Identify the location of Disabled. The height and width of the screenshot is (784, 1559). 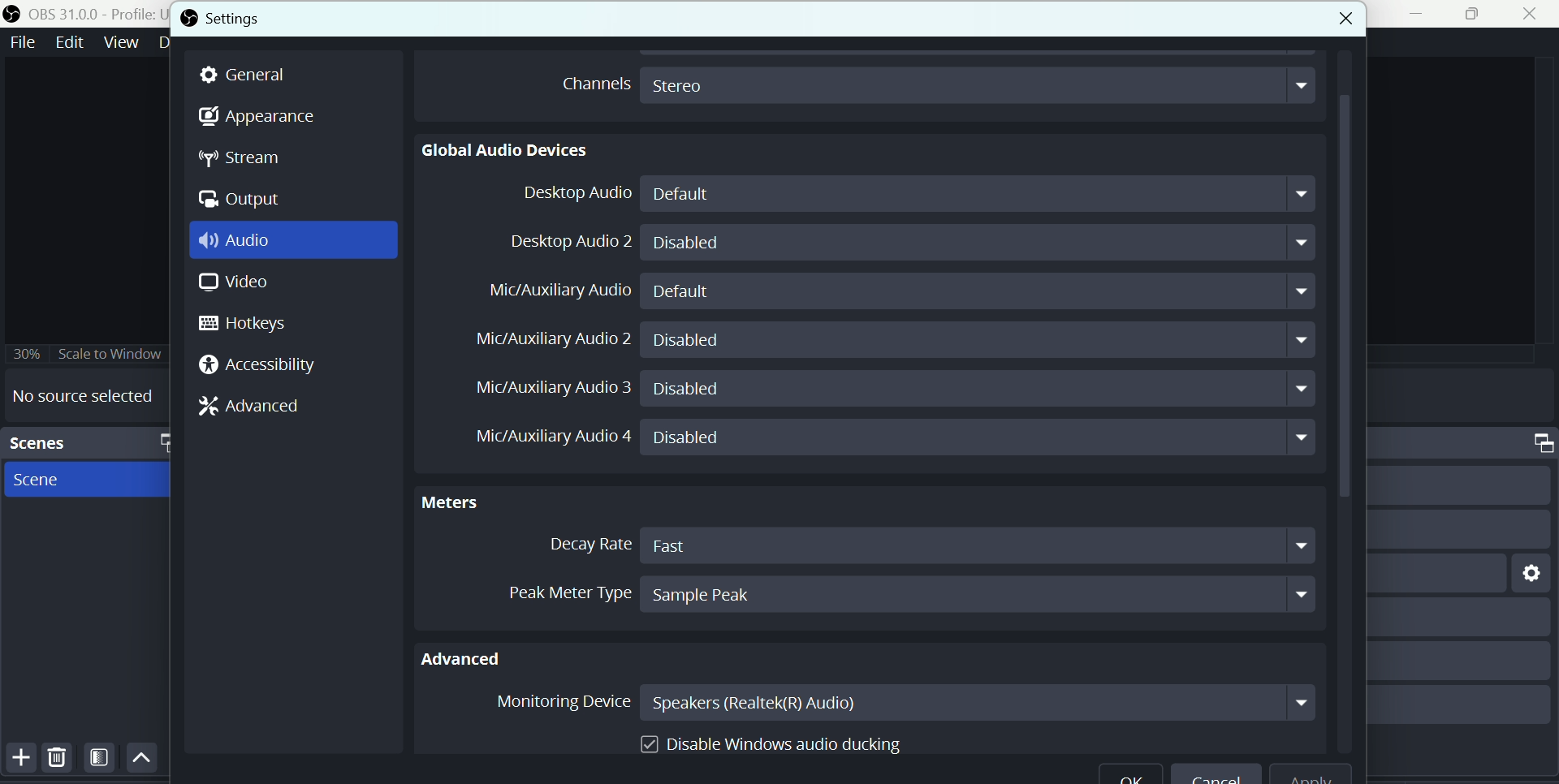
(980, 390).